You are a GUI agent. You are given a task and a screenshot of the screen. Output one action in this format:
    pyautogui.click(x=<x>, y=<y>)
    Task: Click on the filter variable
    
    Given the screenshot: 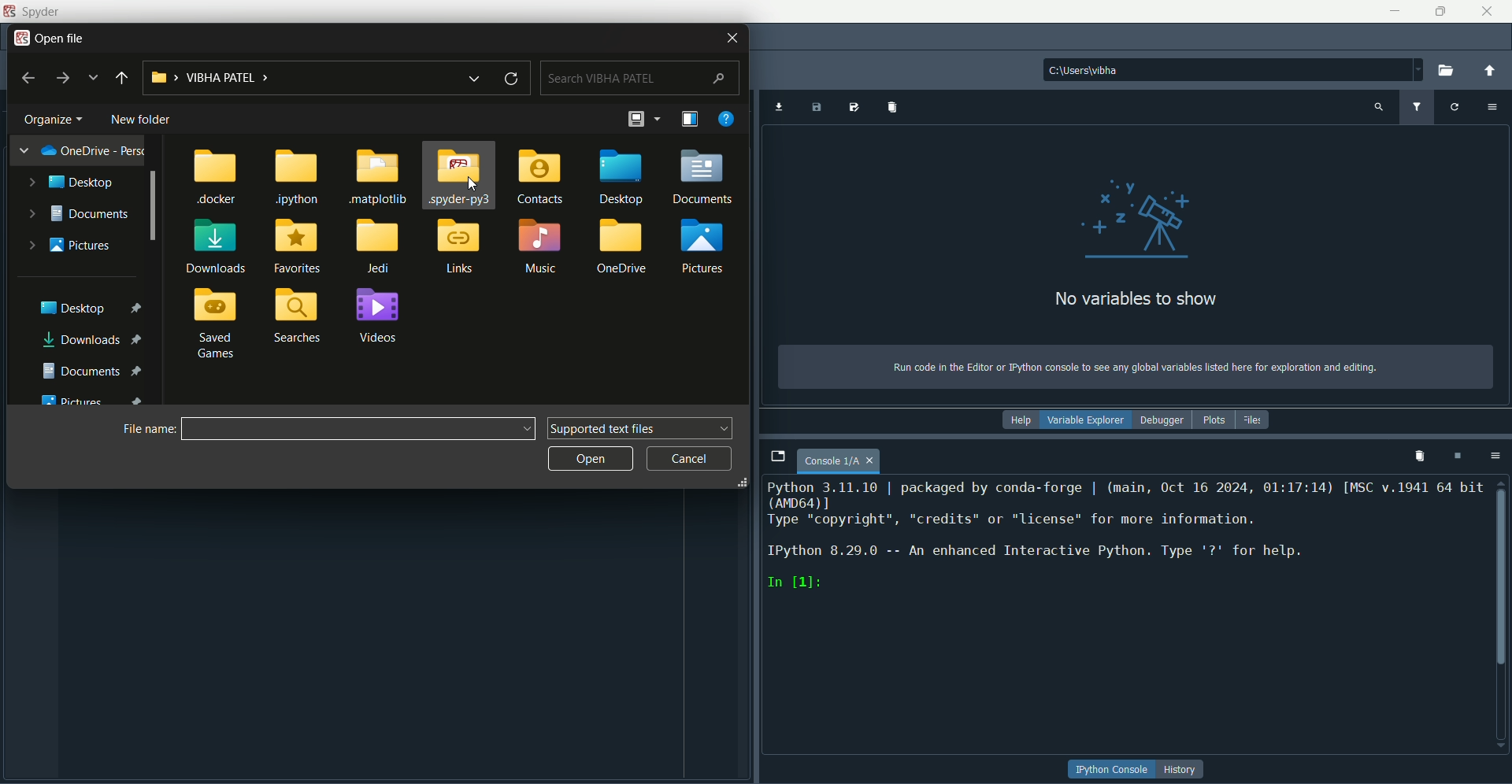 What is the action you would take?
    pyautogui.click(x=1417, y=106)
    